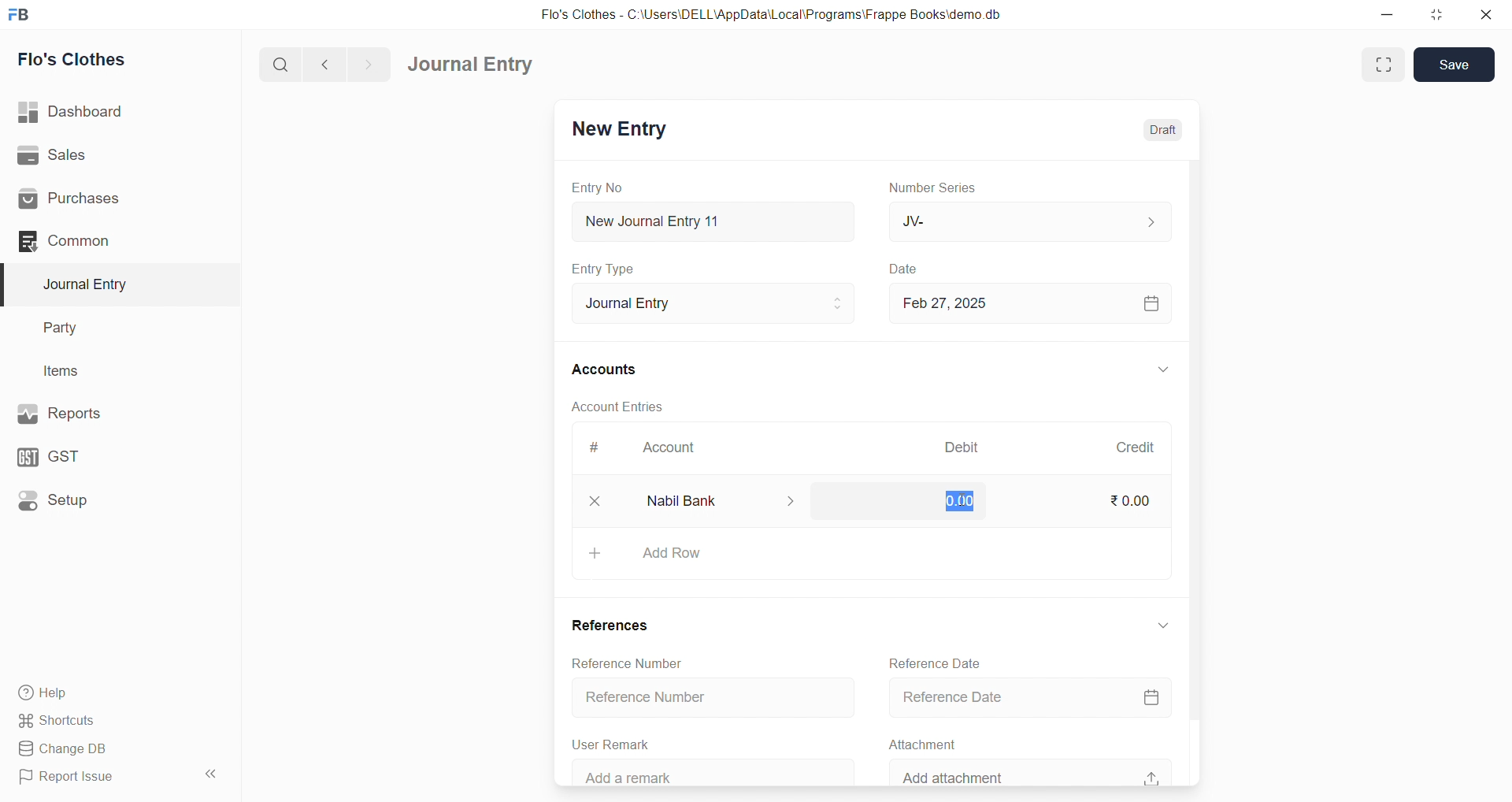 This screenshot has width=1512, height=802. Describe the element at coordinates (98, 748) in the screenshot. I see `Change DB` at that location.